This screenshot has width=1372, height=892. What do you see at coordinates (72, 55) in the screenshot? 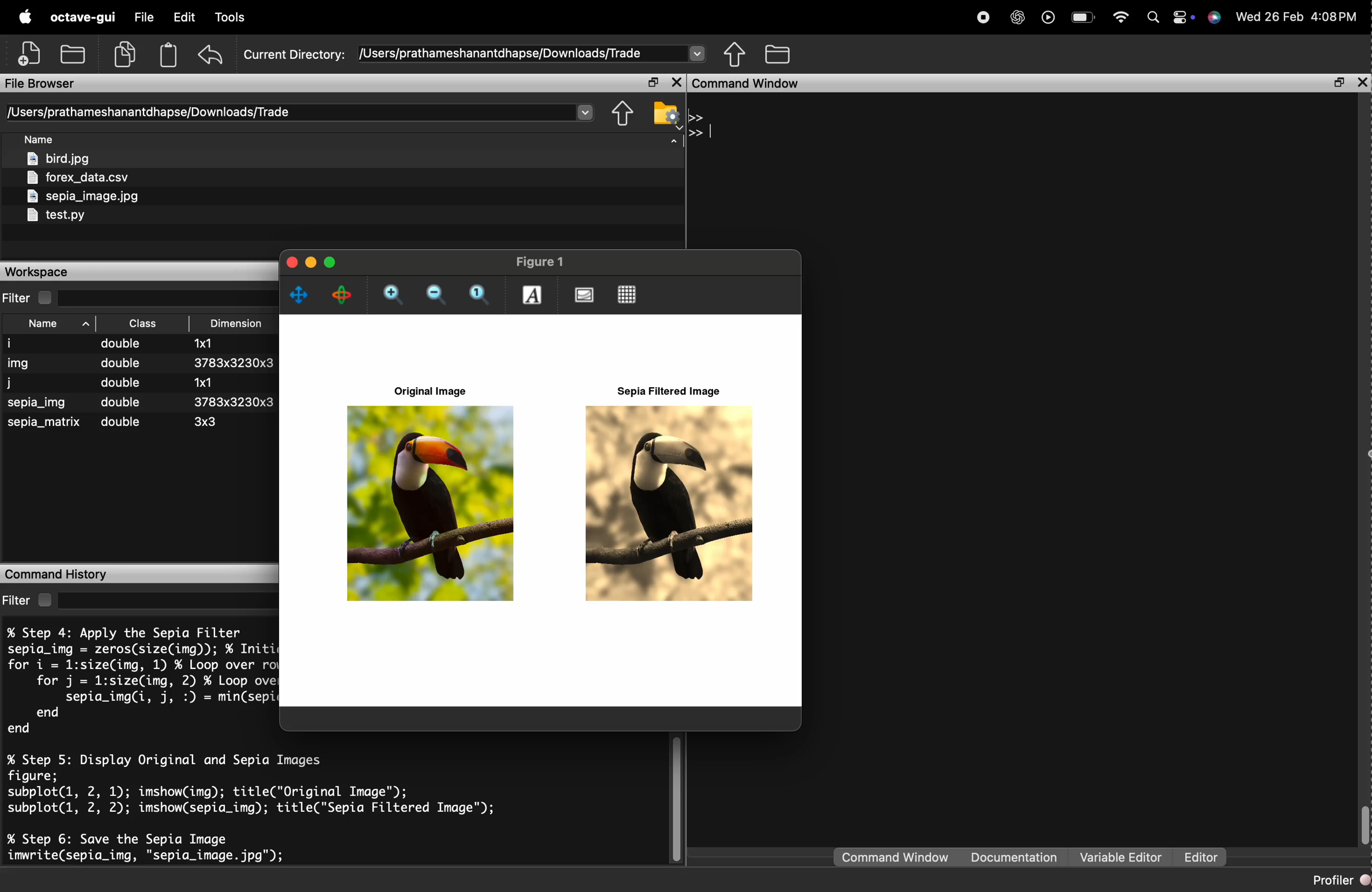
I see `add folder` at bounding box center [72, 55].